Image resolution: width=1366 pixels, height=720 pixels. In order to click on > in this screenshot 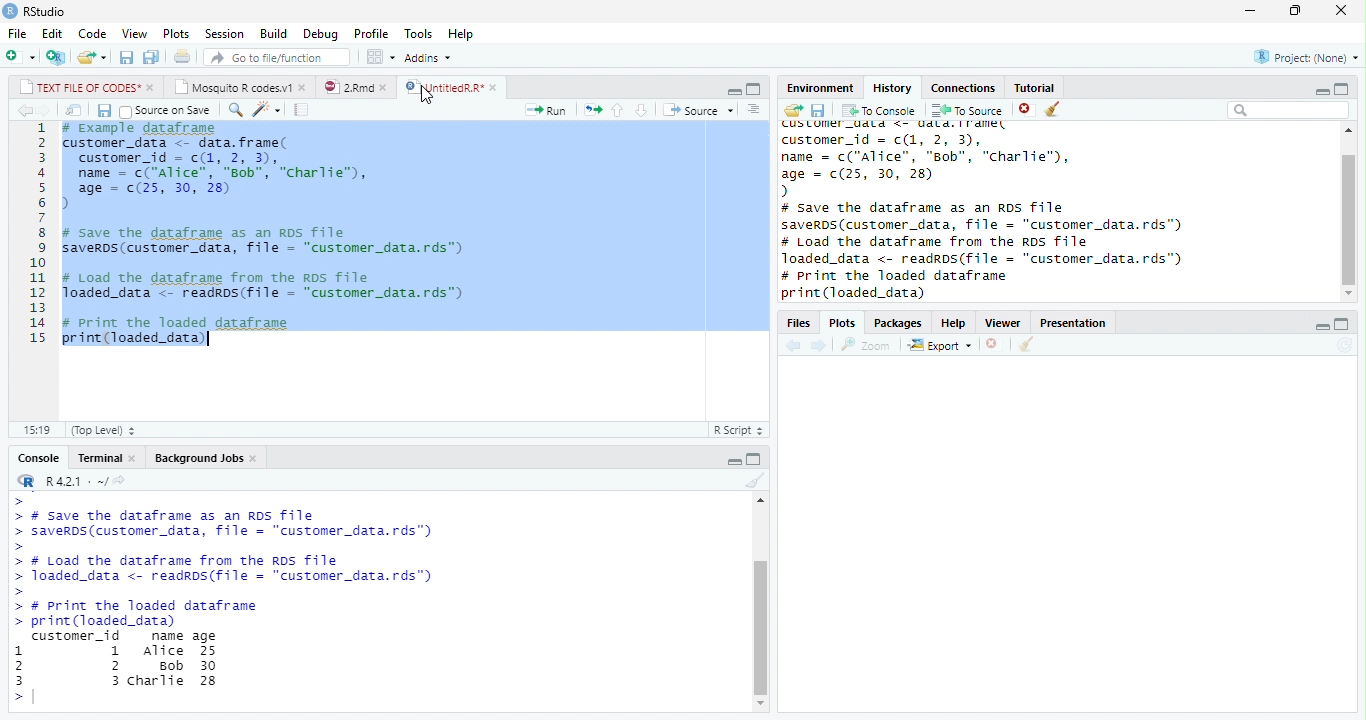, I will do `click(22, 699)`.